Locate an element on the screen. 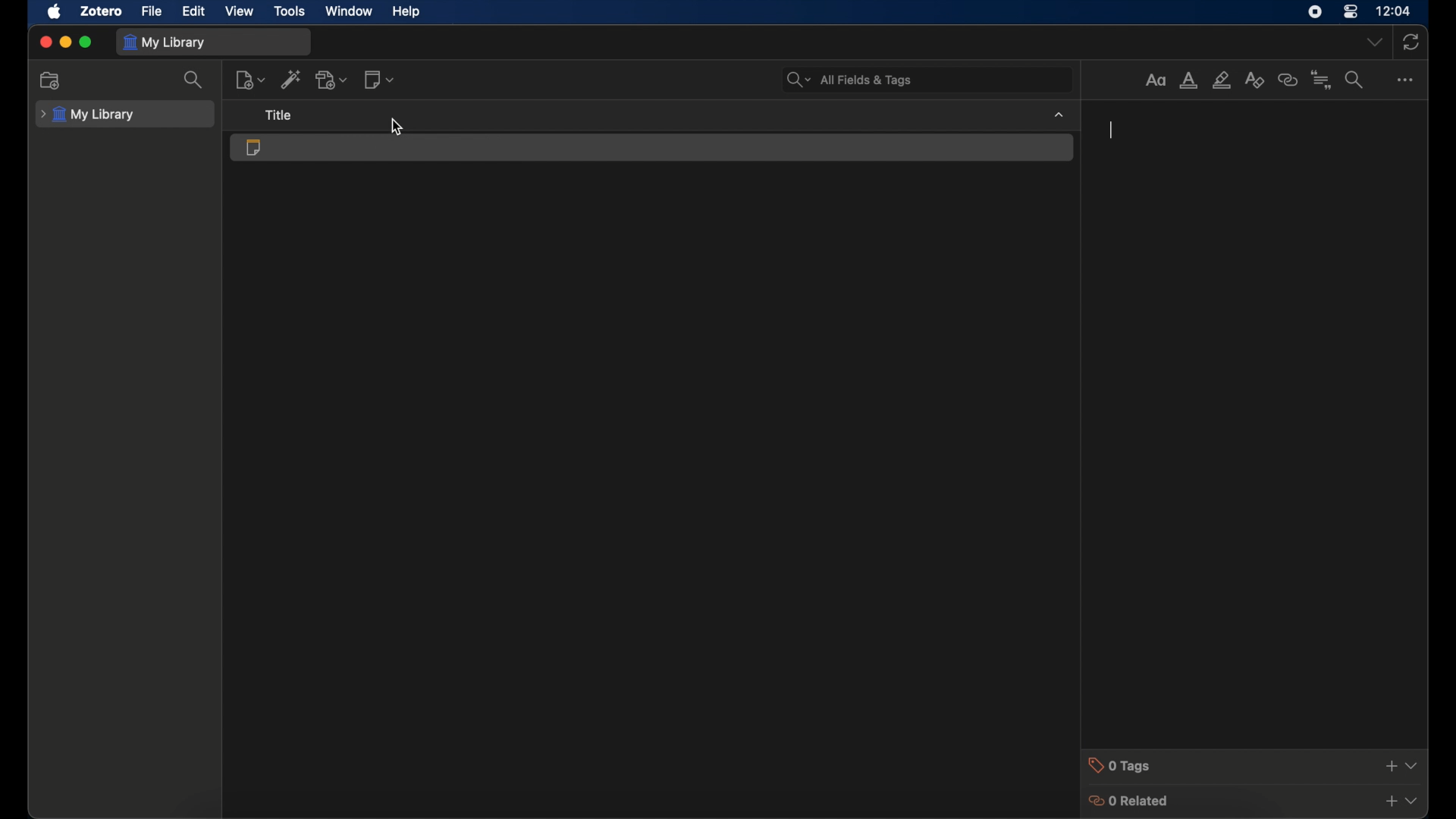 Image resolution: width=1456 pixels, height=819 pixels. find and replace is located at coordinates (1355, 79).